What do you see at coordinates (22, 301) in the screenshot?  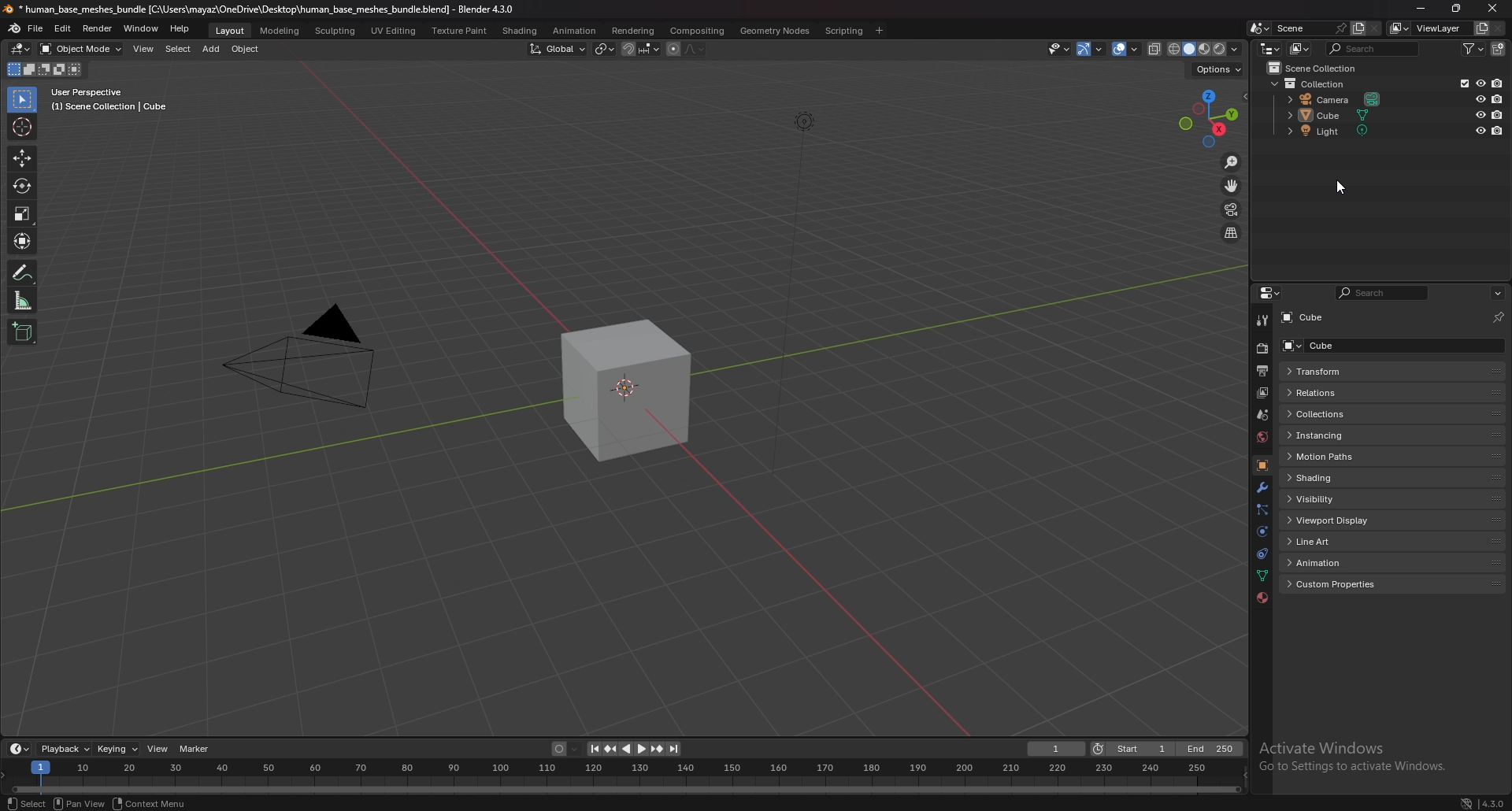 I see `measure` at bounding box center [22, 301].